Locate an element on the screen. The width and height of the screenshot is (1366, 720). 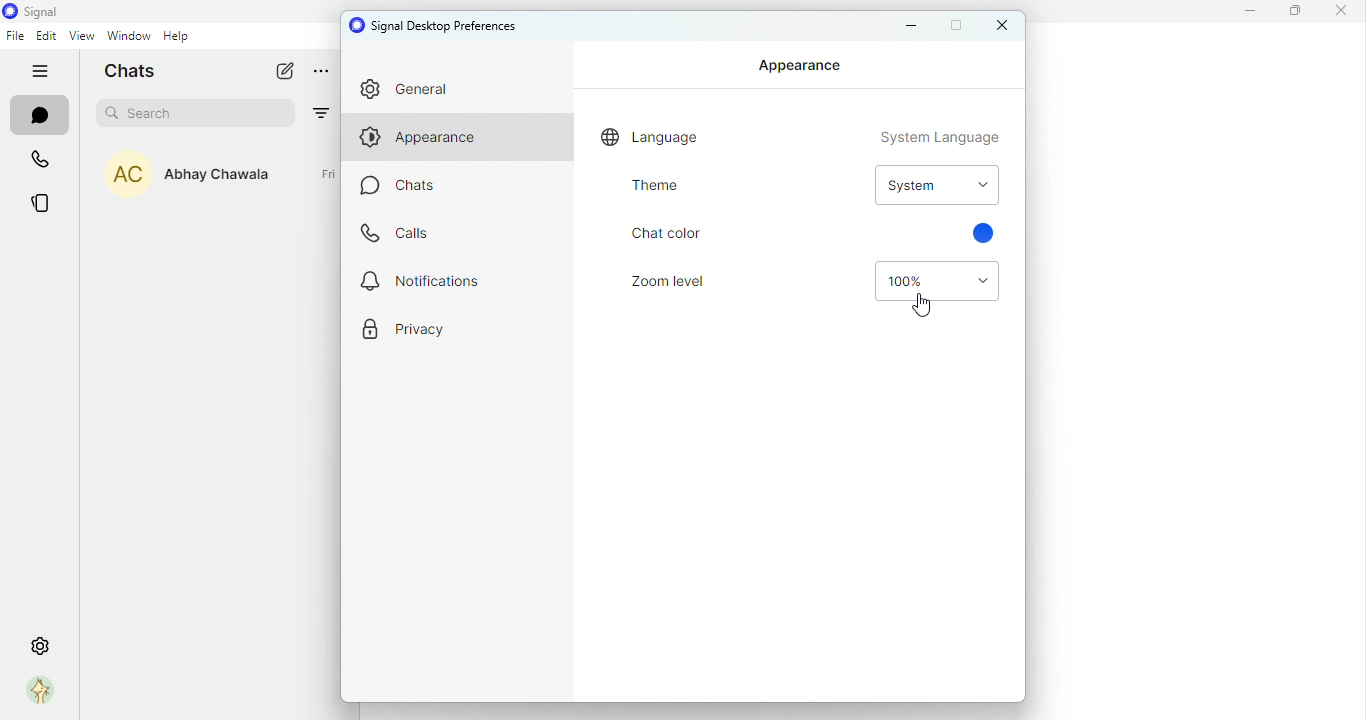
color is located at coordinates (989, 235).